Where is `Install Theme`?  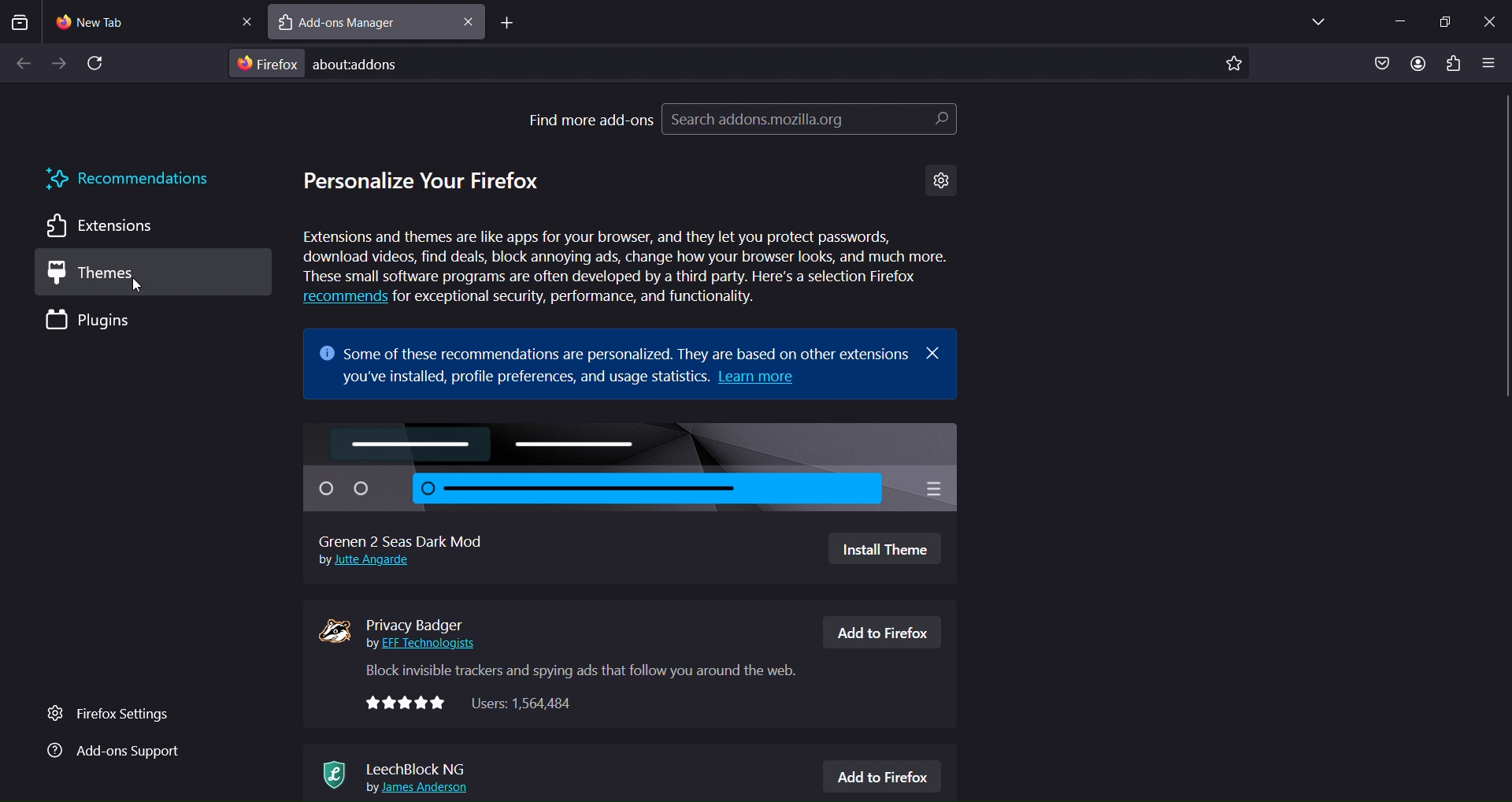
Install Theme is located at coordinates (884, 550).